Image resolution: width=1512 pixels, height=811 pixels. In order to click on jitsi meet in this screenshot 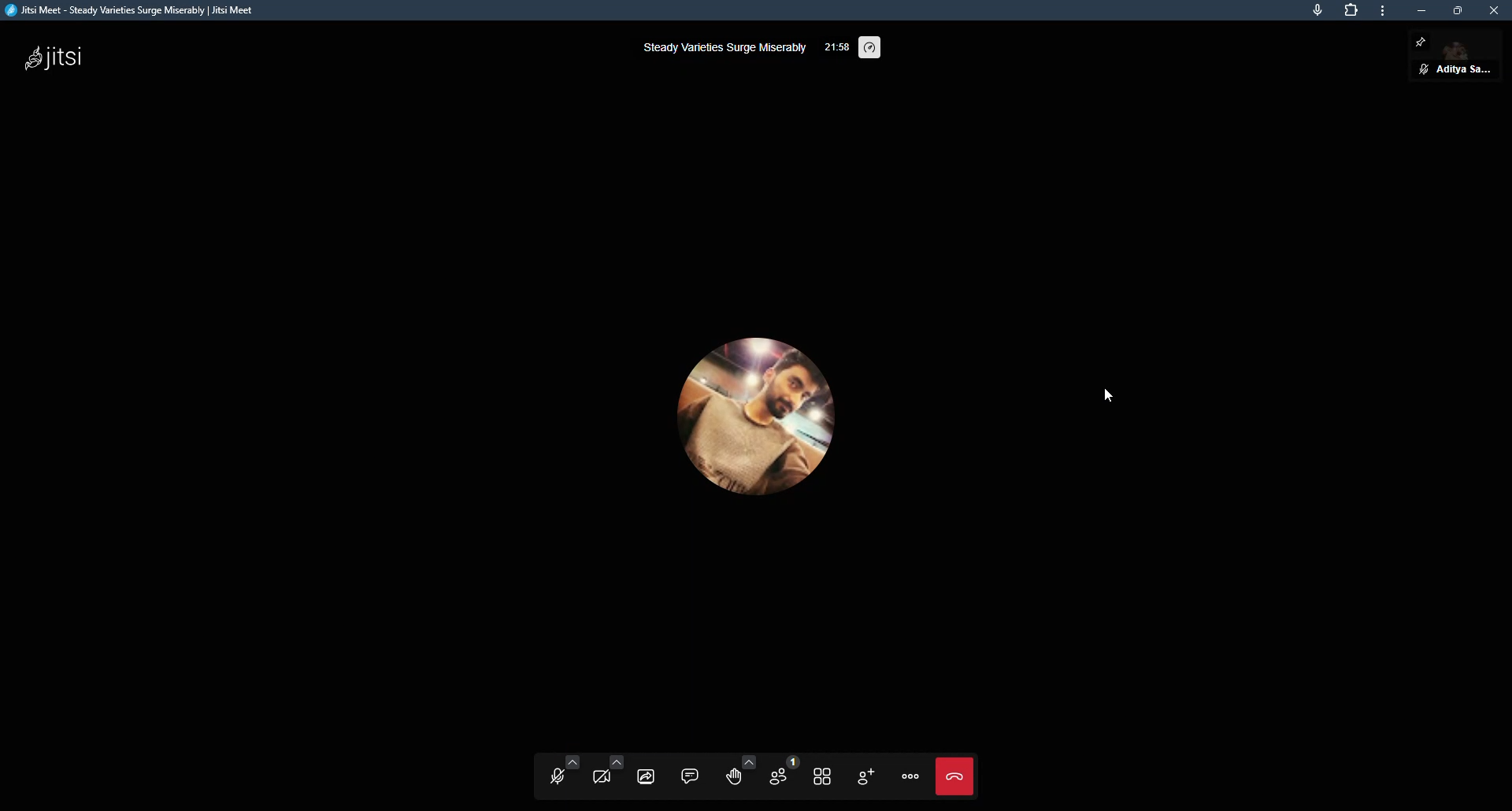, I will do `click(135, 13)`.